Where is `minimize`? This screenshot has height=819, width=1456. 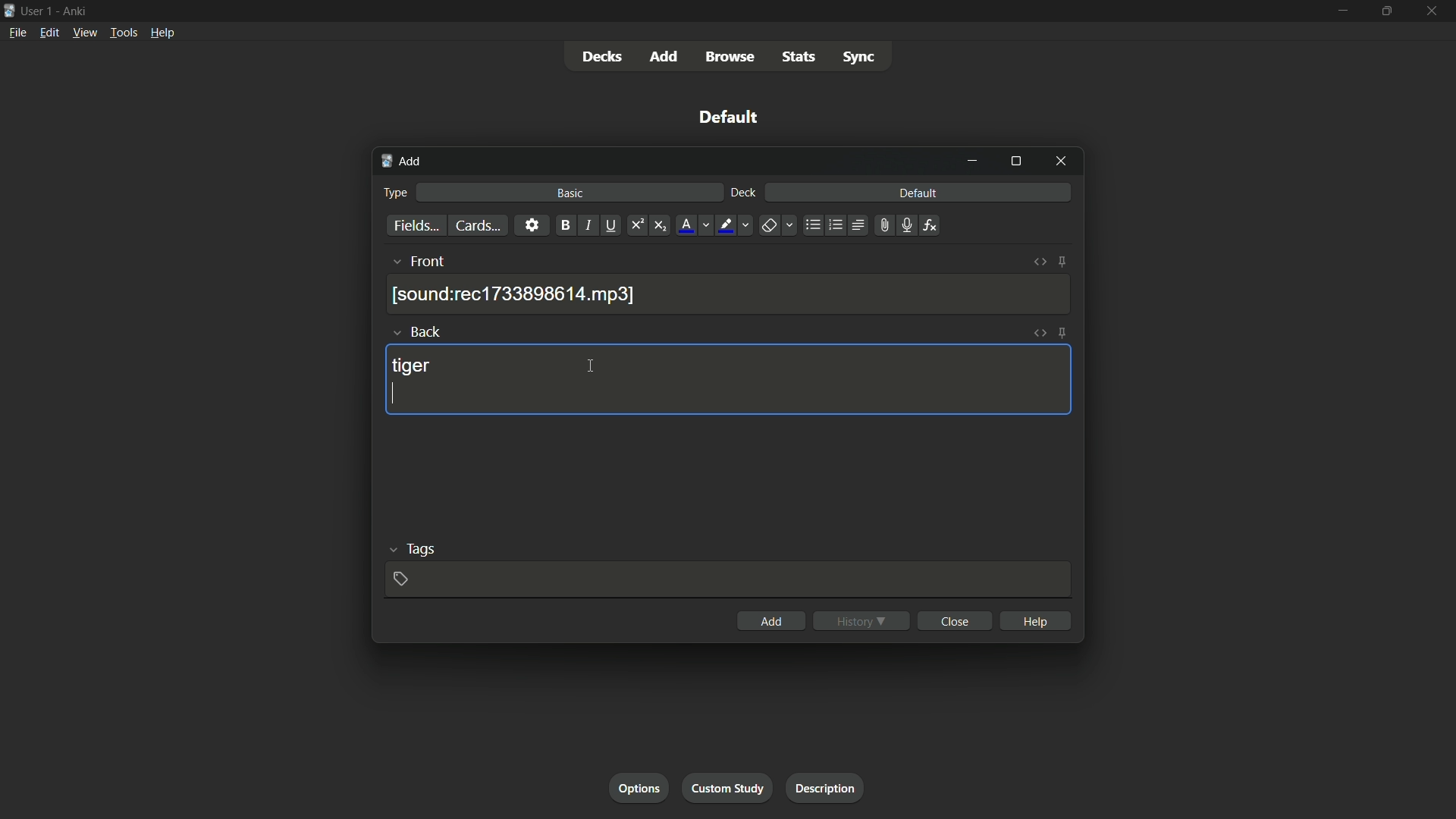
minimize is located at coordinates (974, 161).